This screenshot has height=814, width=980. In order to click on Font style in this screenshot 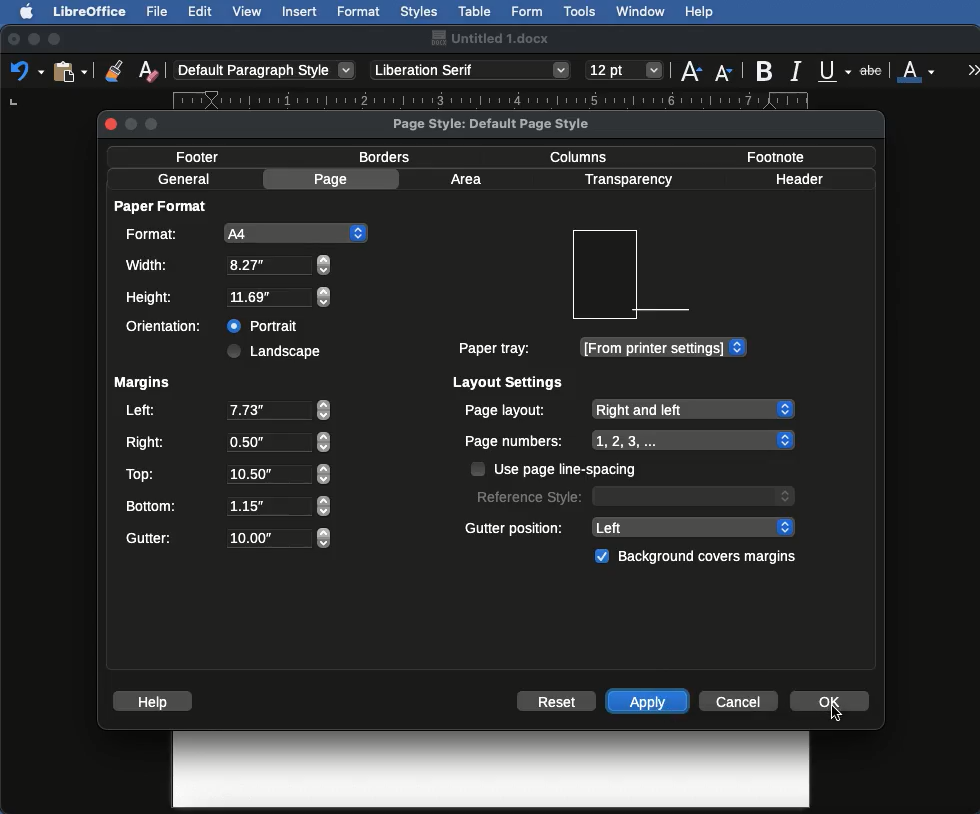, I will do `click(472, 70)`.